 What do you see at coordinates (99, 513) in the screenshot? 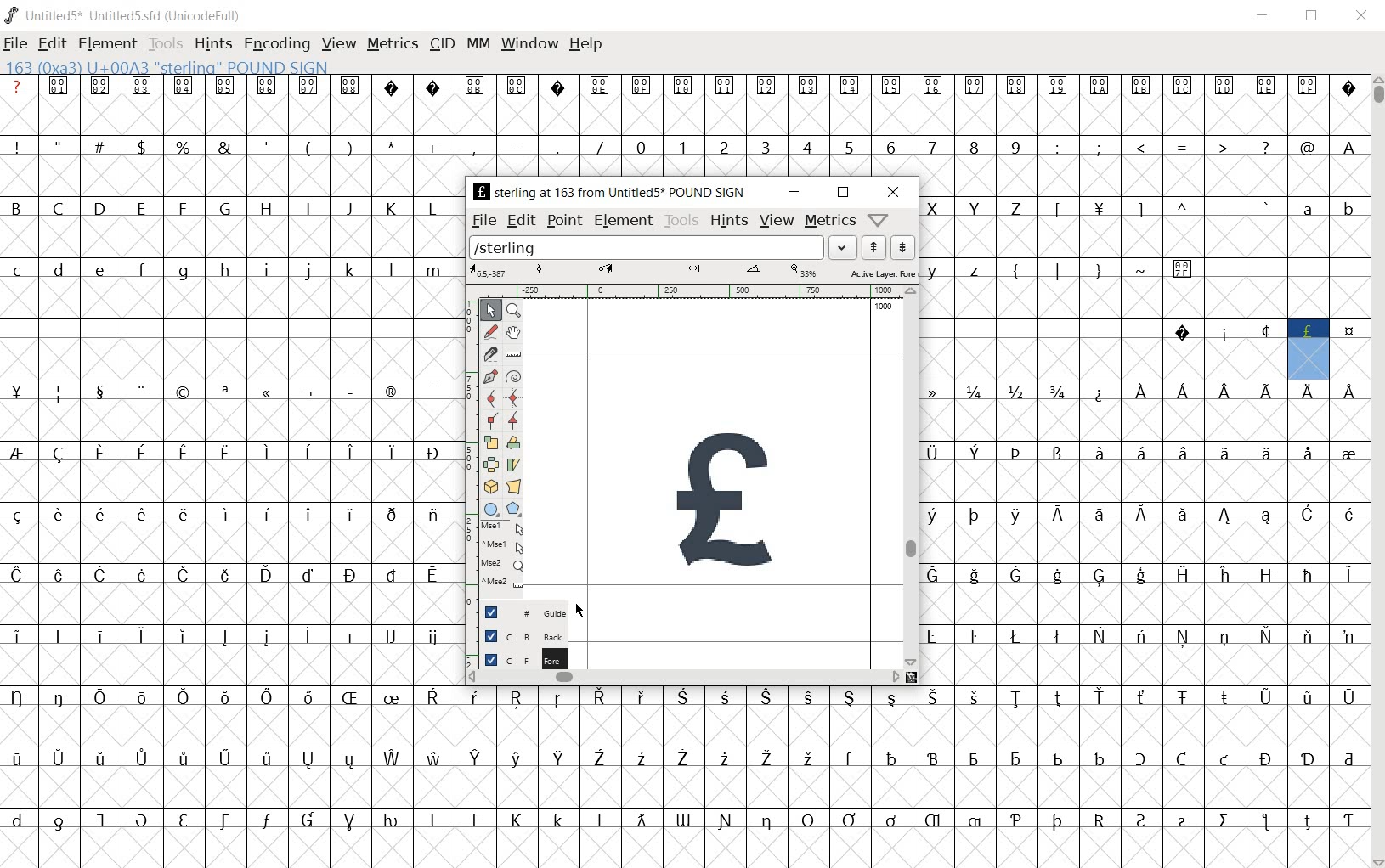
I see `Symbol` at bounding box center [99, 513].